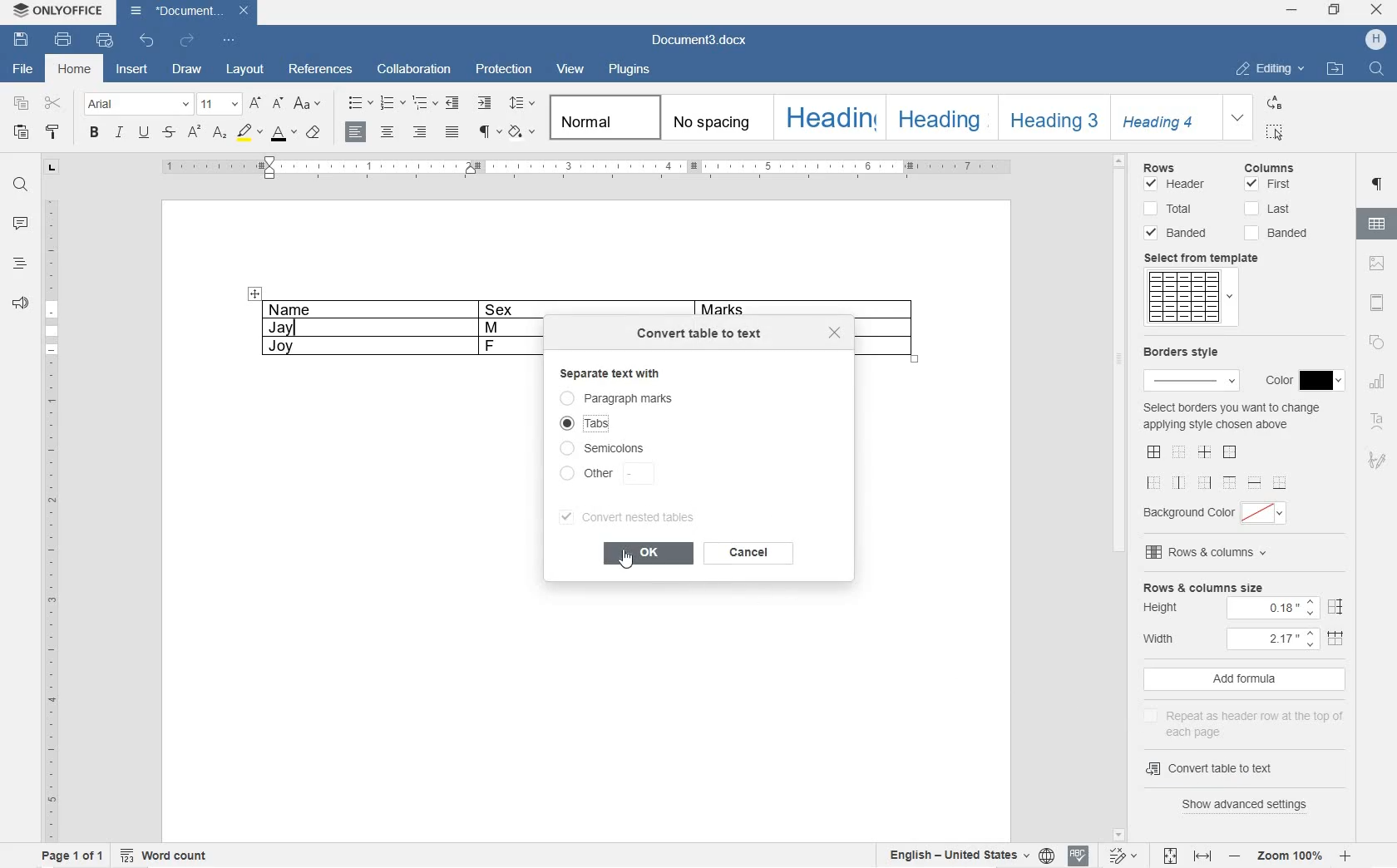 Image resolution: width=1397 pixels, height=868 pixels. What do you see at coordinates (1181, 233) in the screenshot?
I see `Blended` at bounding box center [1181, 233].